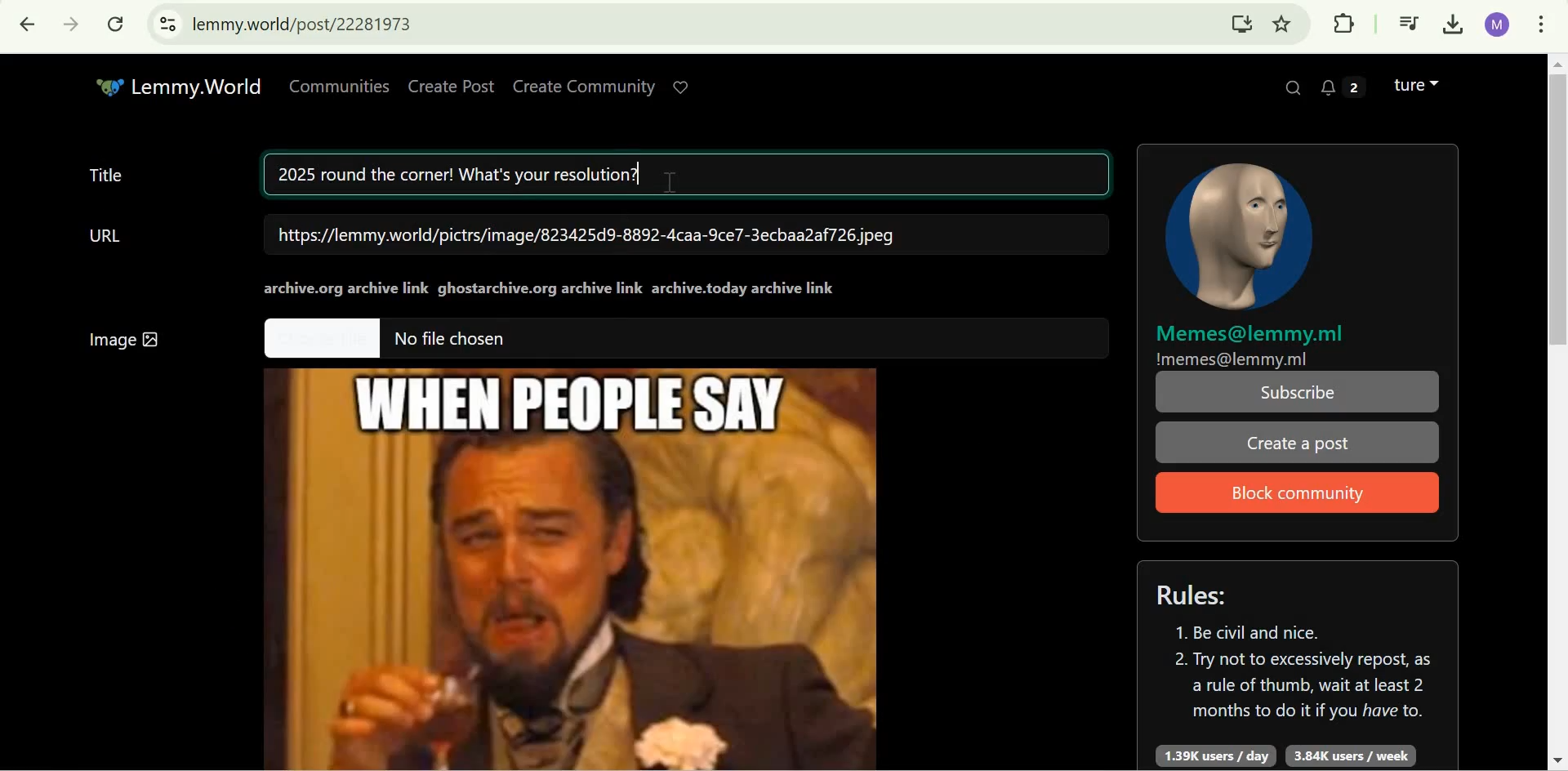  I want to click on 2025 round the corner! What's your resolution?, so click(460, 177).